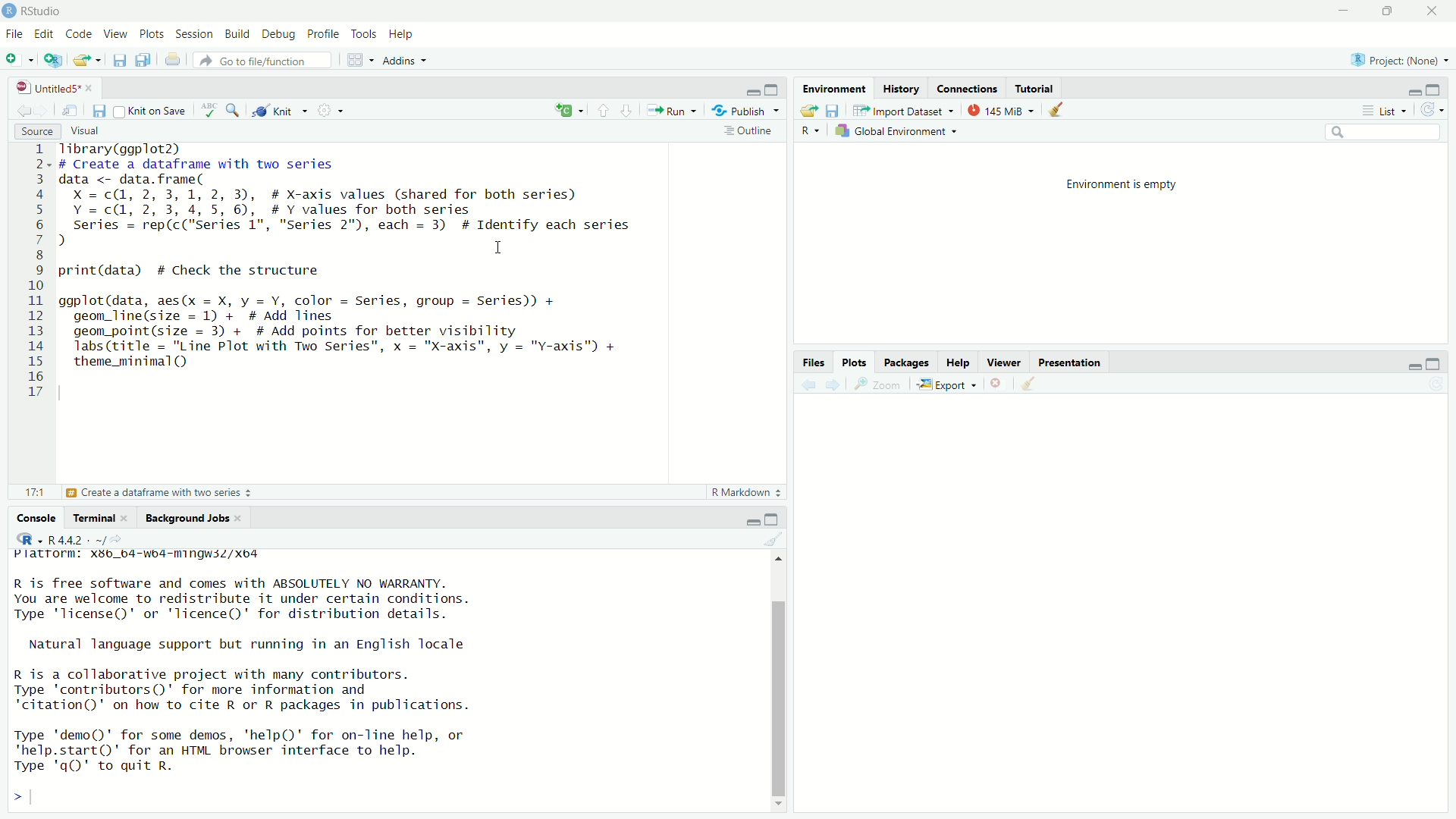 Image resolution: width=1456 pixels, height=819 pixels. Describe the element at coordinates (99, 517) in the screenshot. I see `Terminal` at that location.